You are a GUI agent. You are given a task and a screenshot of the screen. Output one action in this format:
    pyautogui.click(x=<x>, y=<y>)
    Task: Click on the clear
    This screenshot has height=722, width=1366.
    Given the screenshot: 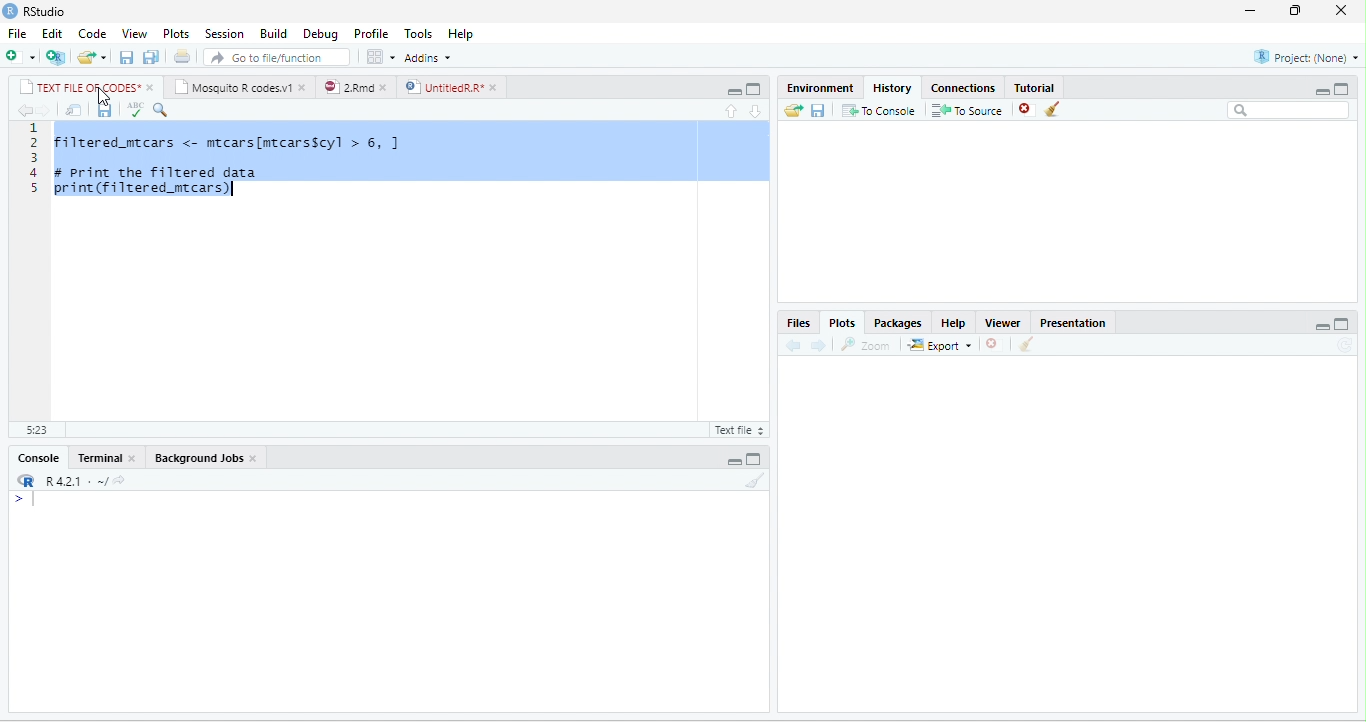 What is the action you would take?
    pyautogui.click(x=1026, y=344)
    